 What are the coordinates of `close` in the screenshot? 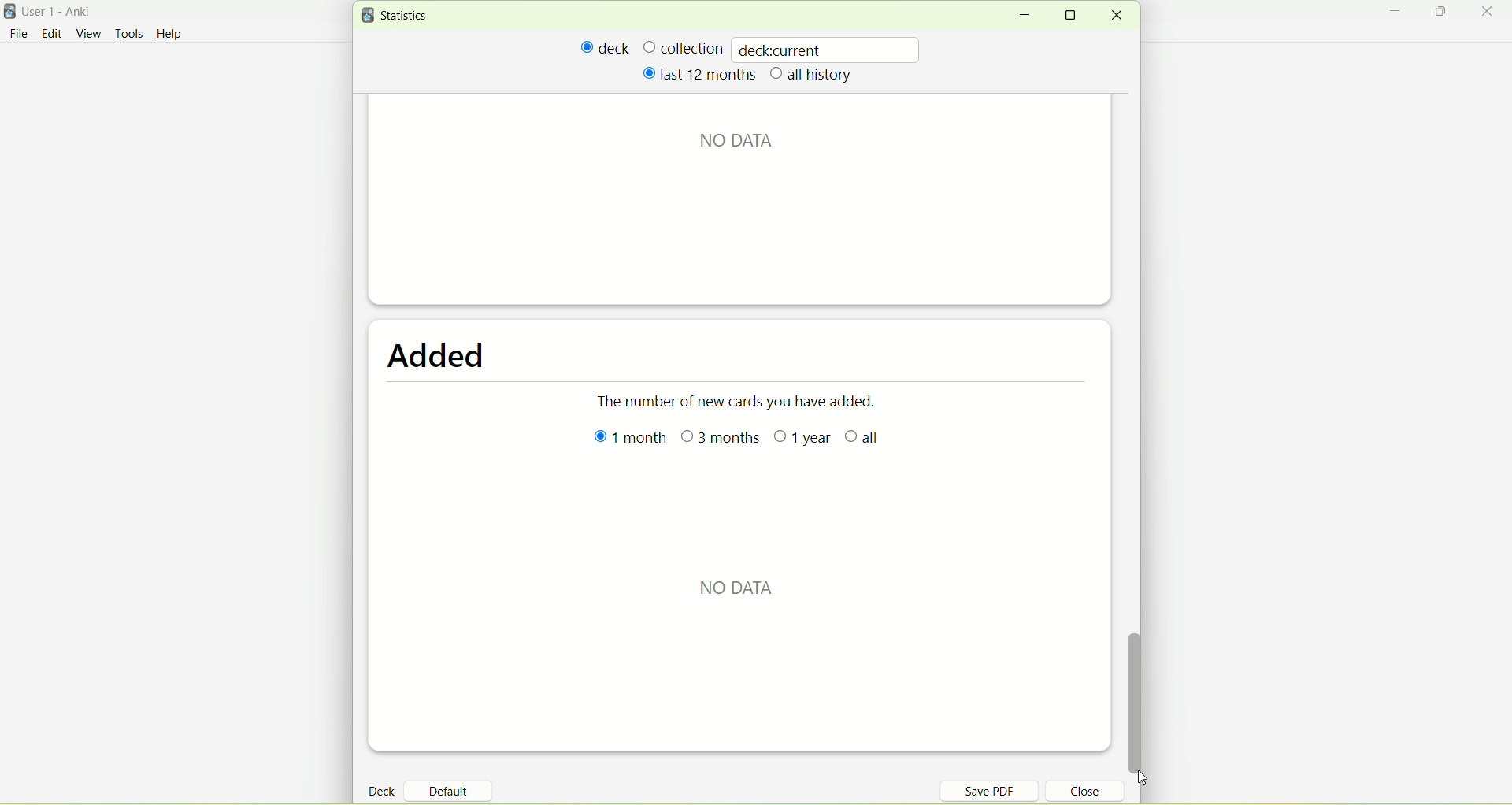 It's located at (1116, 16).